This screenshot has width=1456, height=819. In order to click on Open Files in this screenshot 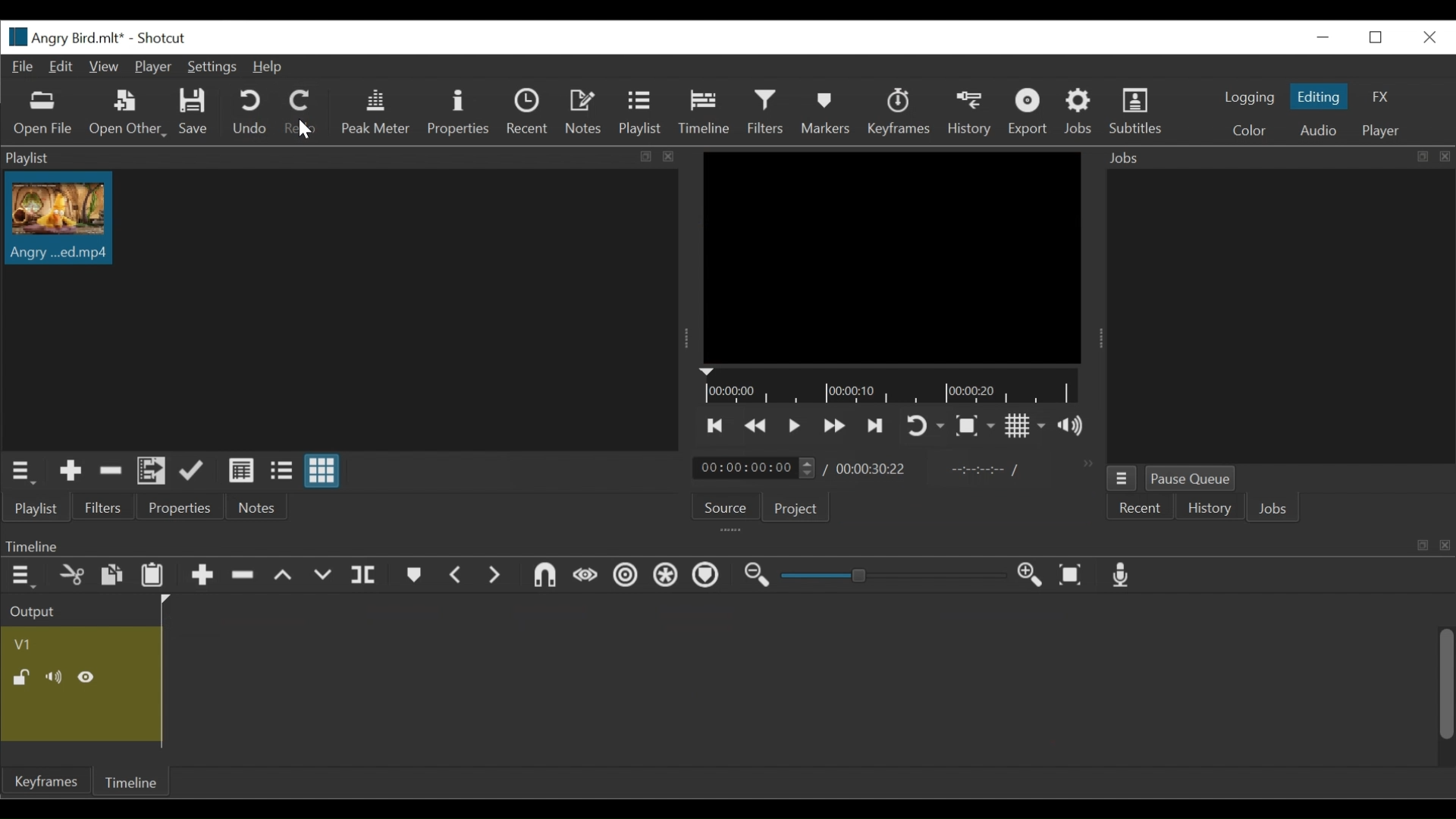, I will do `click(45, 114)`.